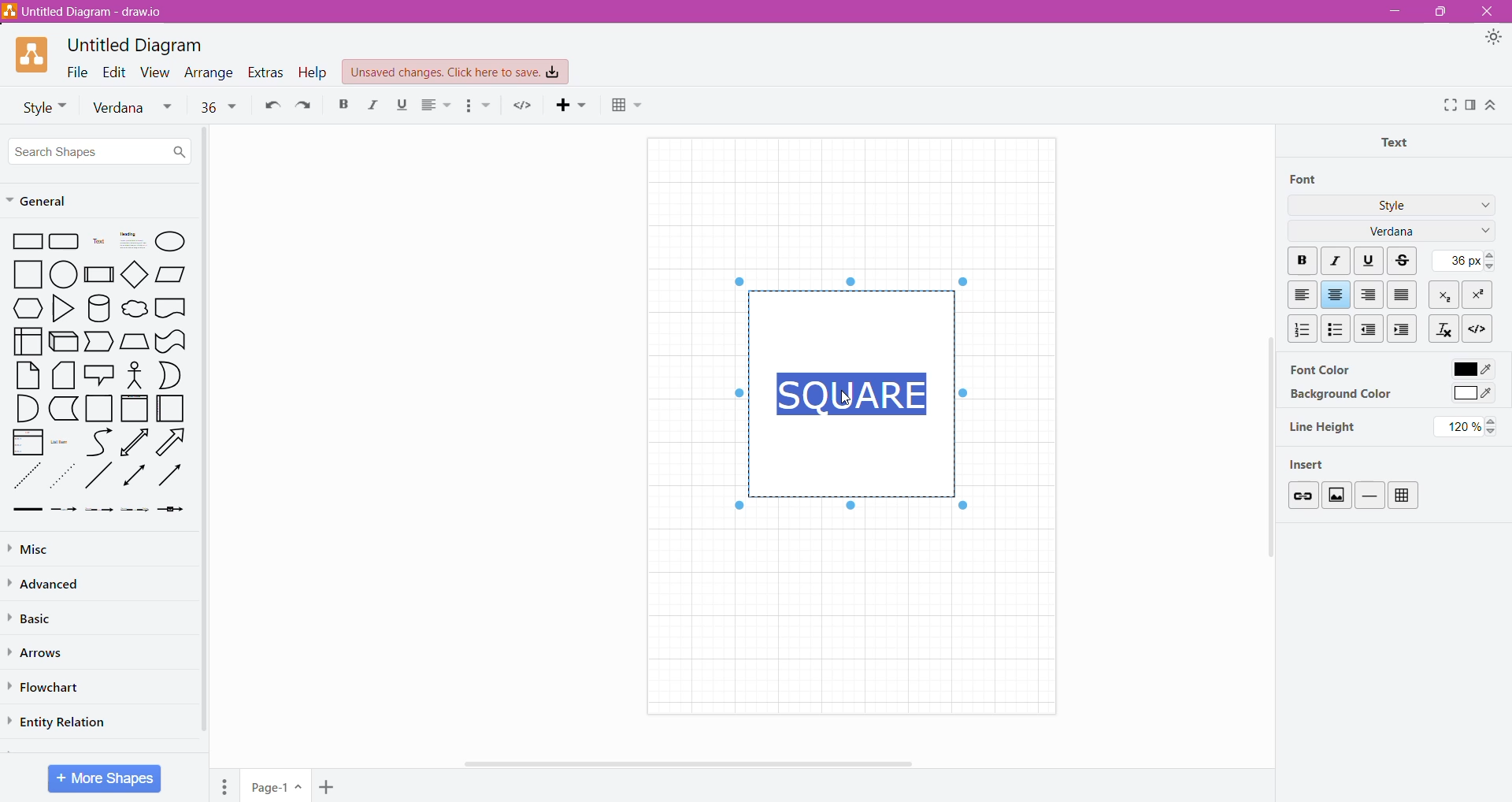 The width and height of the screenshot is (1512, 802). Describe the element at coordinates (265, 72) in the screenshot. I see `Extras` at that location.